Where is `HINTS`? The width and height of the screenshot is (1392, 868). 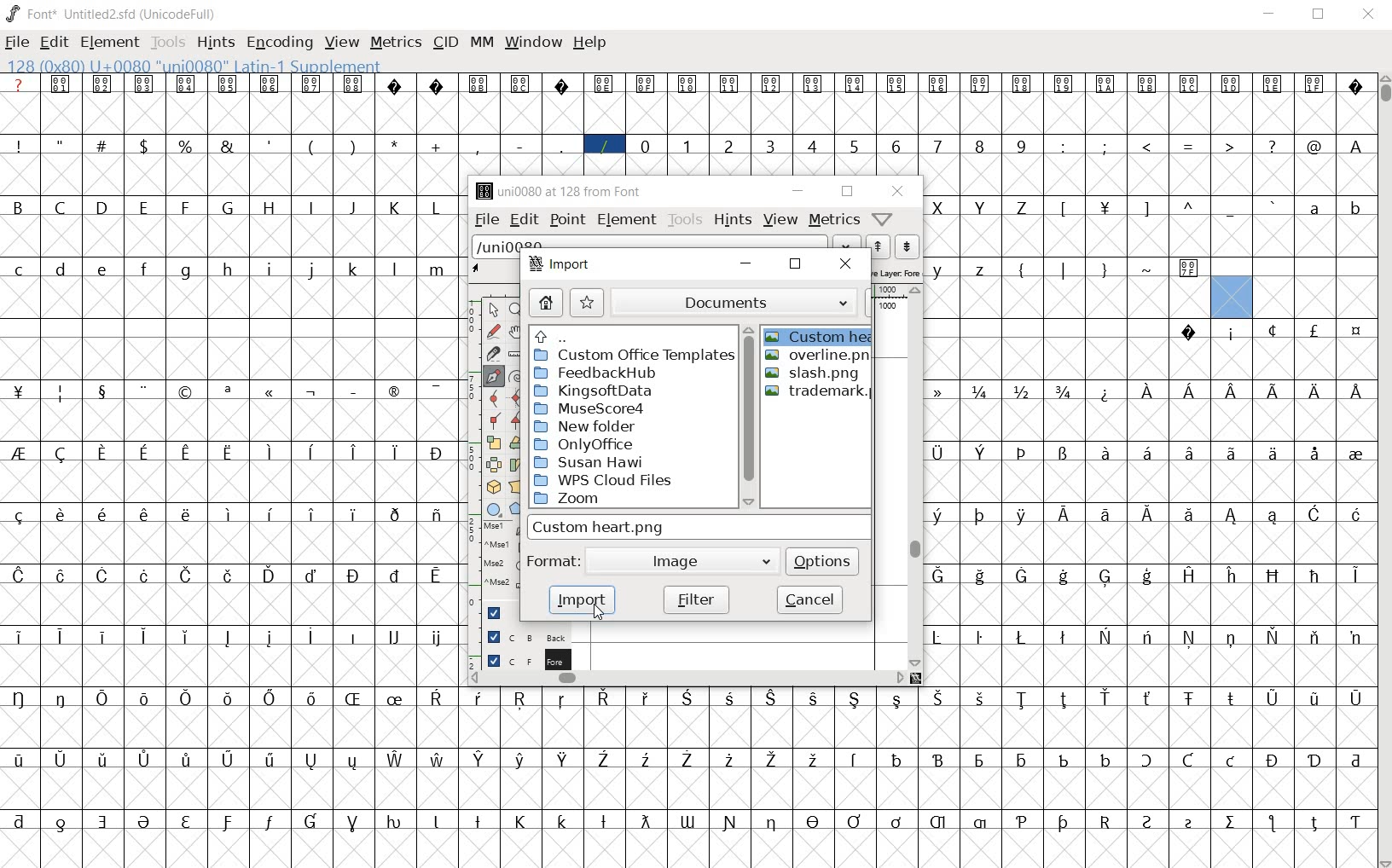
HINTS is located at coordinates (214, 42).